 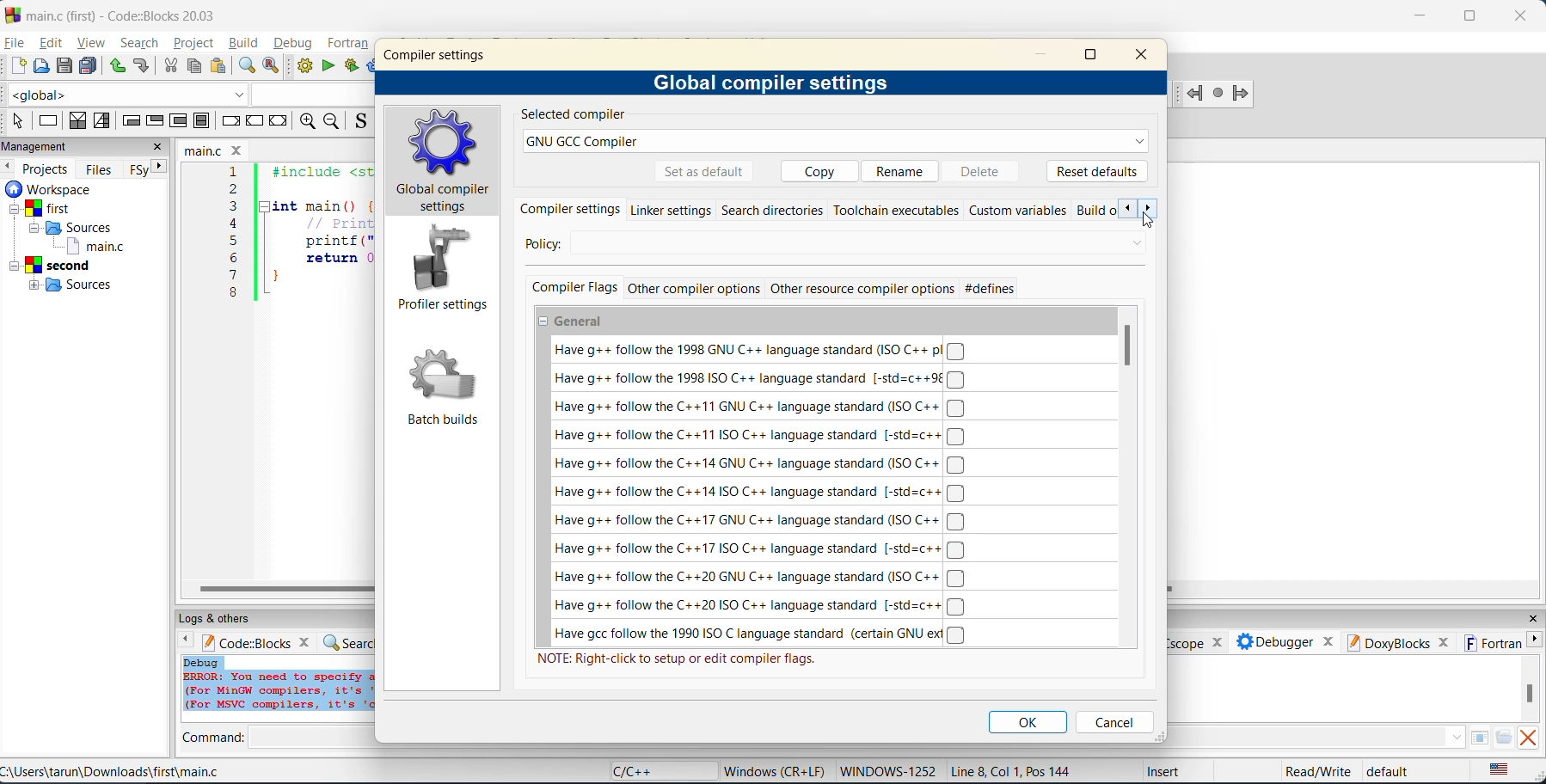 What do you see at coordinates (1218, 95) in the screenshot?
I see `last jump` at bounding box center [1218, 95].